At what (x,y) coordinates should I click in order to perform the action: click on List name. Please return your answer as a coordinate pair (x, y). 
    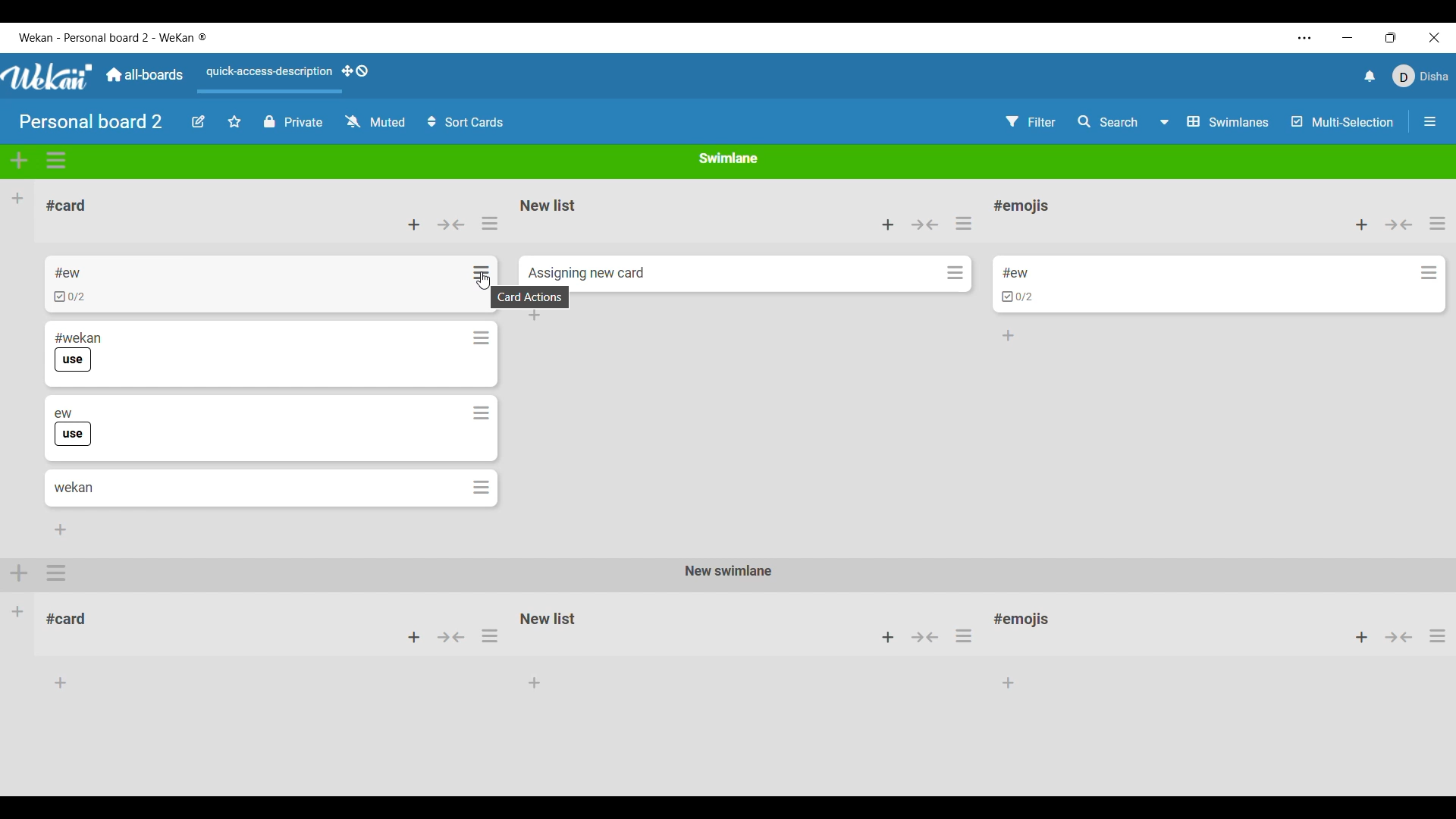
    Looking at the image, I should click on (1021, 207).